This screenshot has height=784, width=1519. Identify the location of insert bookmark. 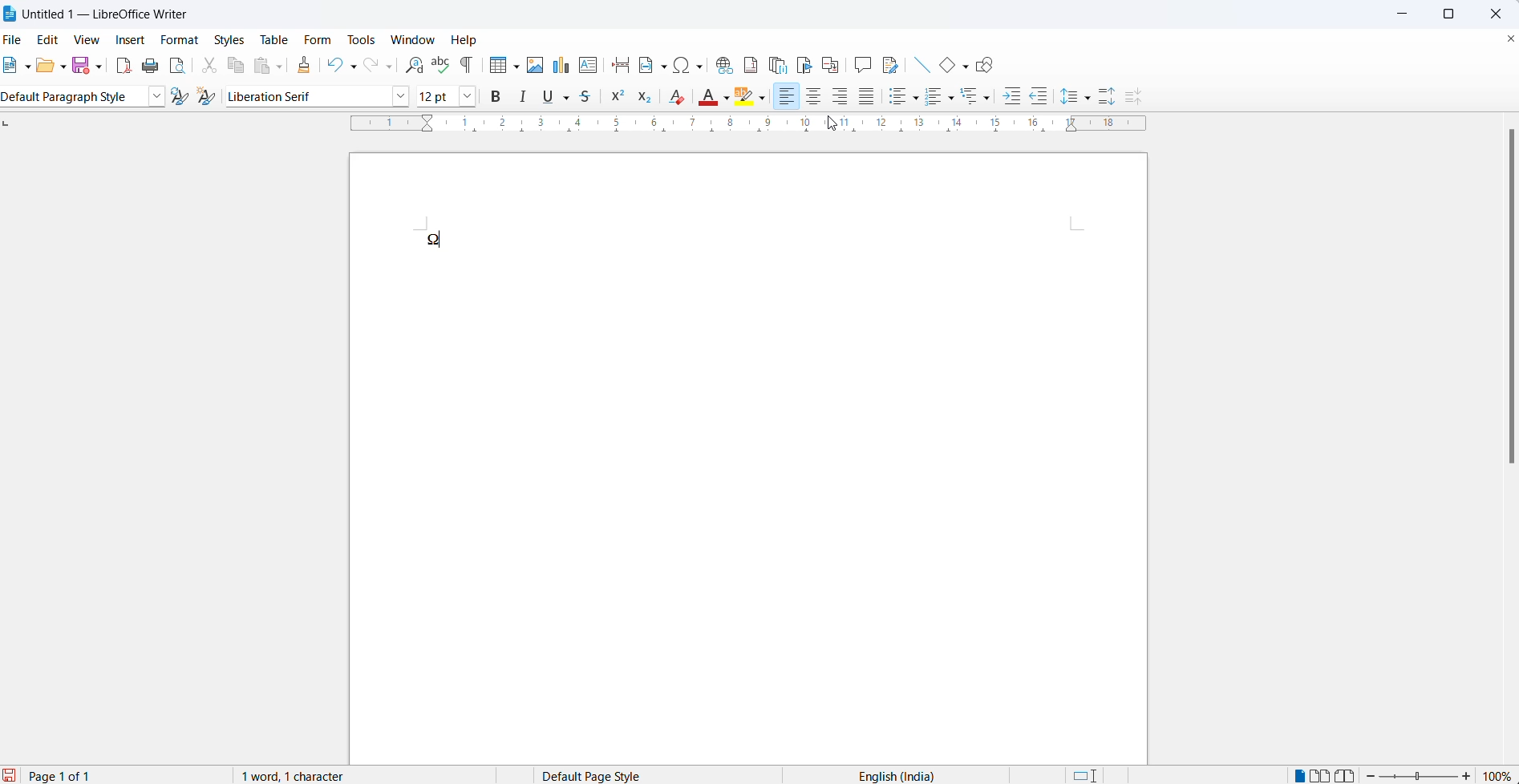
(804, 57).